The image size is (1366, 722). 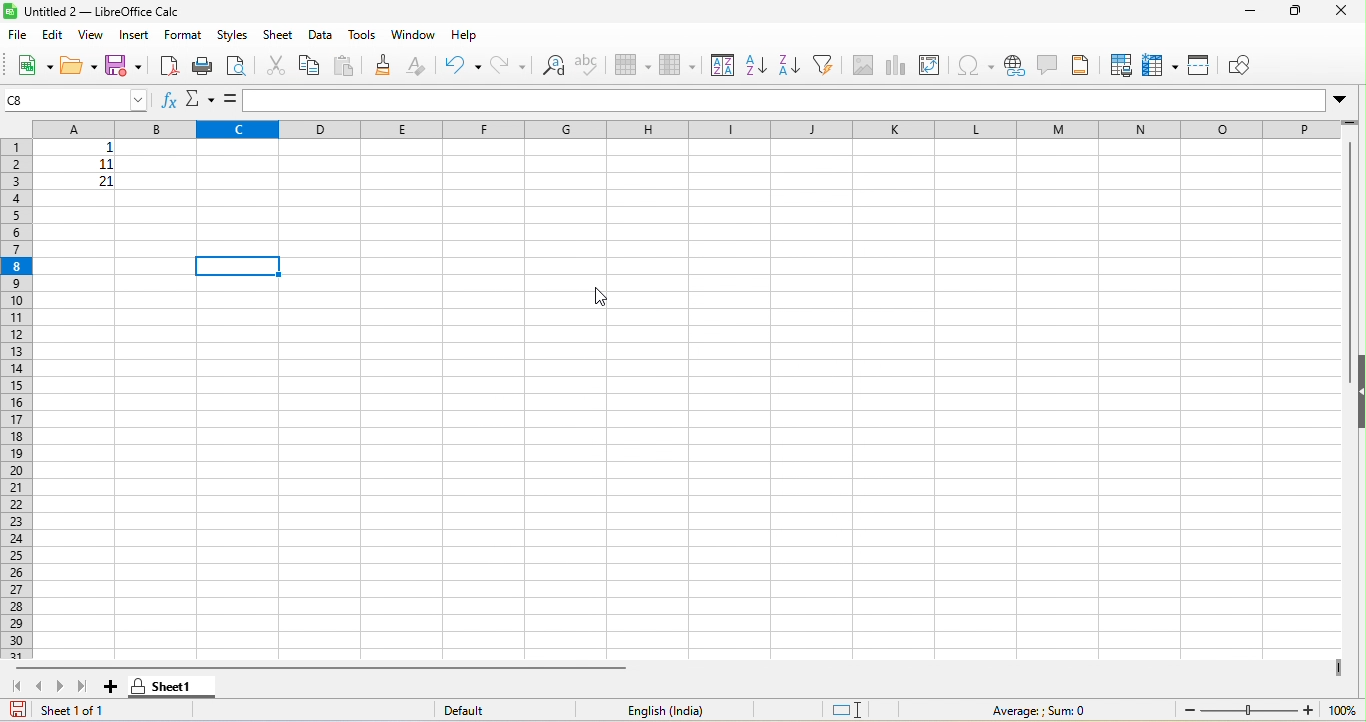 I want to click on define print area, so click(x=1133, y=67).